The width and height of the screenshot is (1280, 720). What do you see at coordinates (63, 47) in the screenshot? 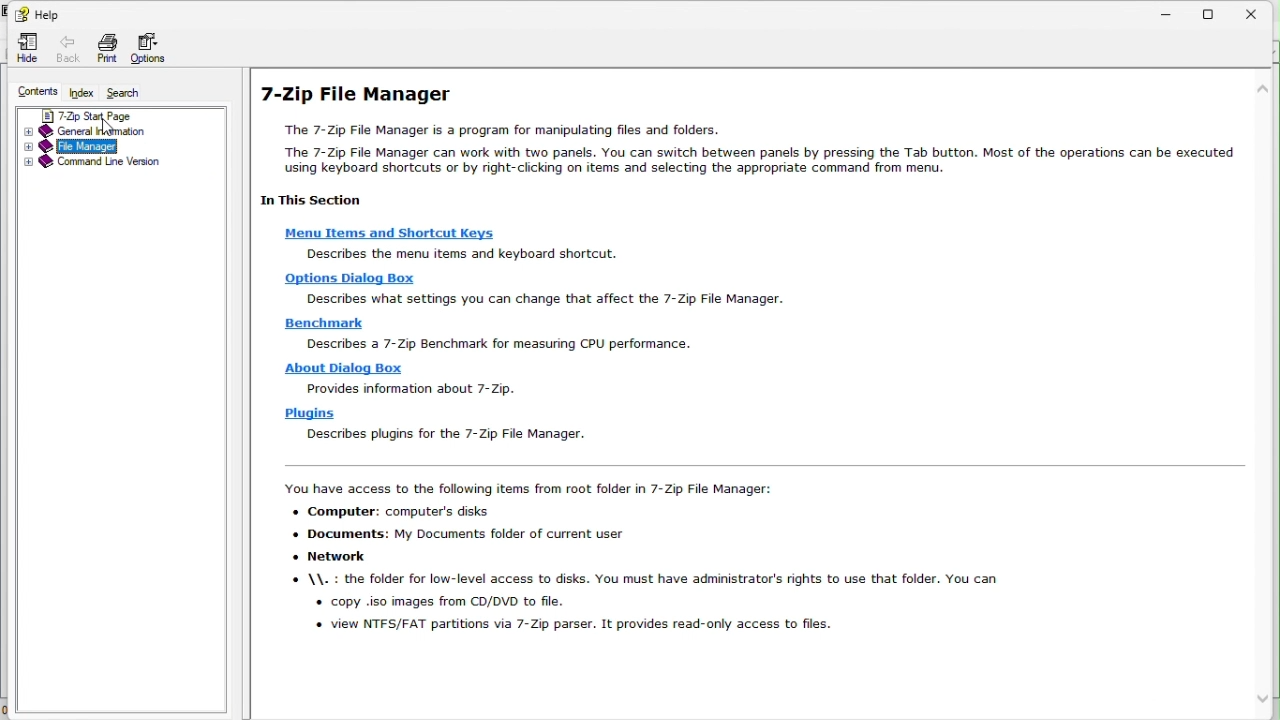
I see `Back` at bounding box center [63, 47].